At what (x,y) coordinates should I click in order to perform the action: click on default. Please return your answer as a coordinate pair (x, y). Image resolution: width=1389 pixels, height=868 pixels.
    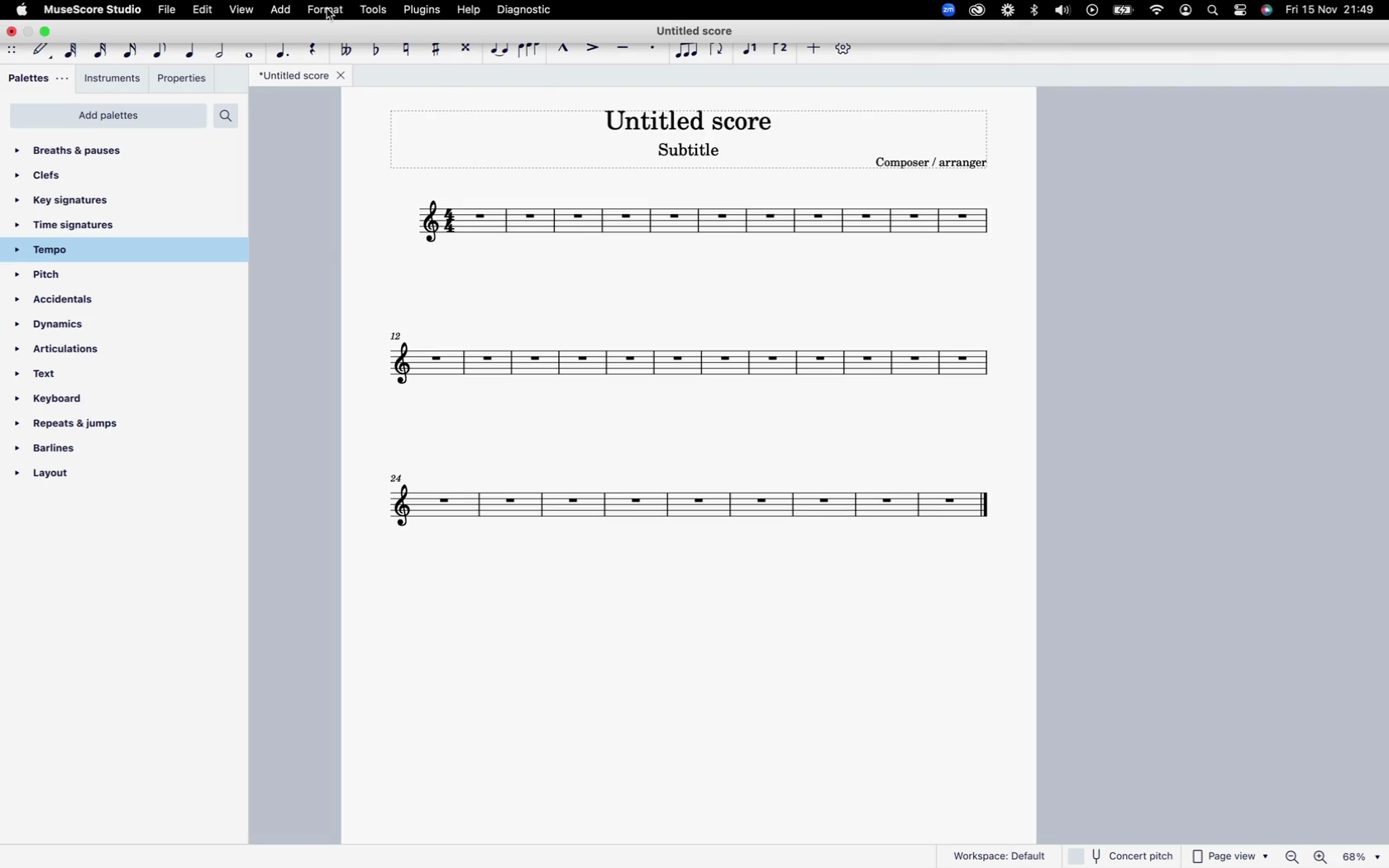
    Looking at the image, I should click on (43, 50).